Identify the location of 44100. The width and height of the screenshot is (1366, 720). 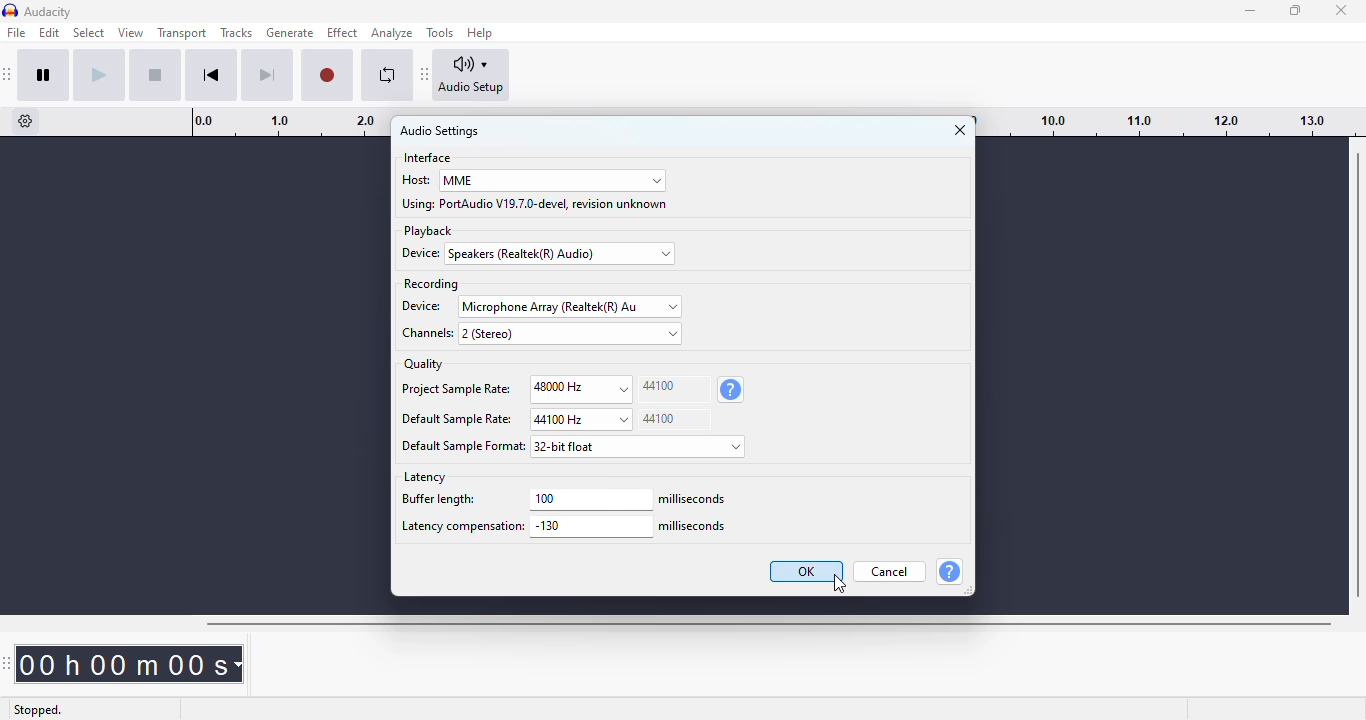
(674, 389).